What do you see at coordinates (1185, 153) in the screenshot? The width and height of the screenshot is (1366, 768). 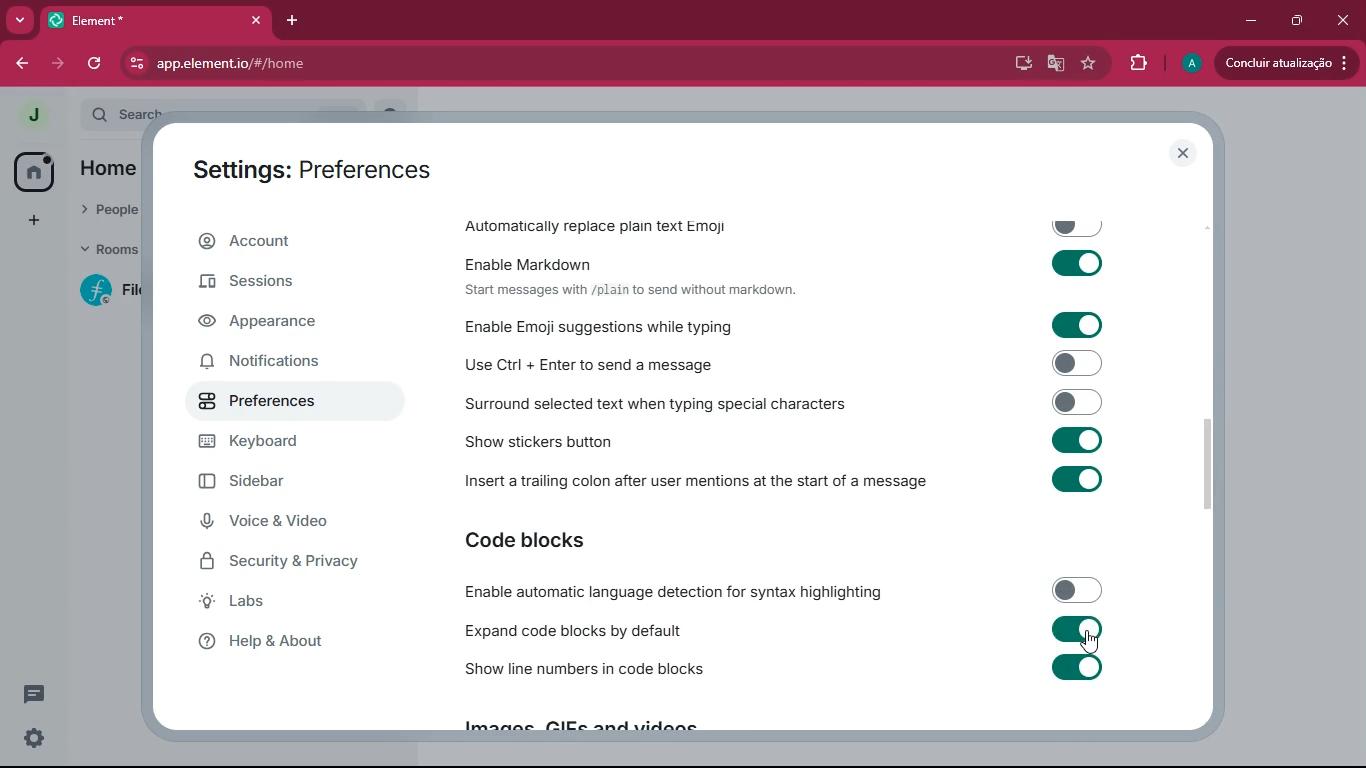 I see `close` at bounding box center [1185, 153].